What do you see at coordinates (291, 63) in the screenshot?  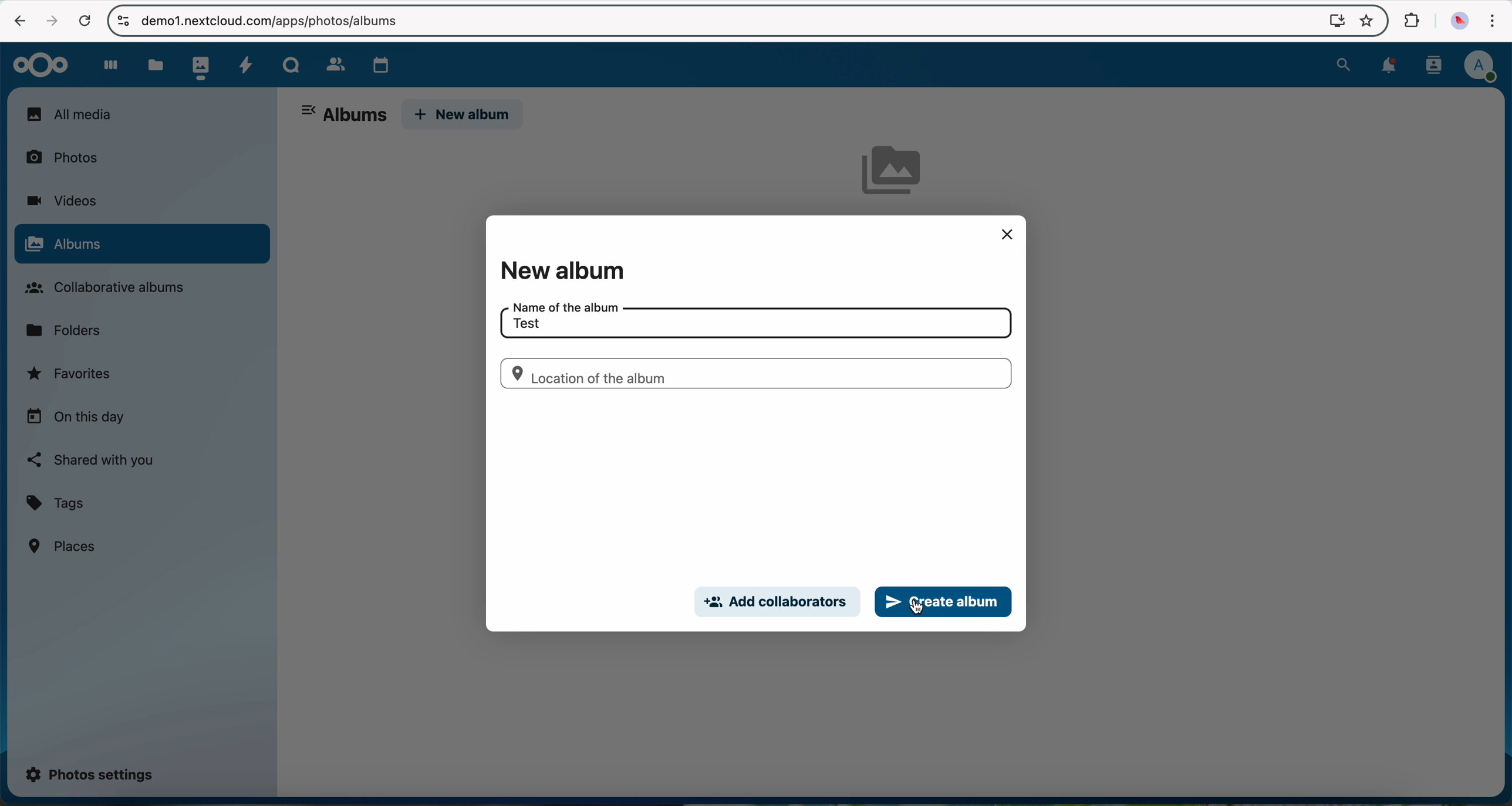 I see `Talk` at bounding box center [291, 63].